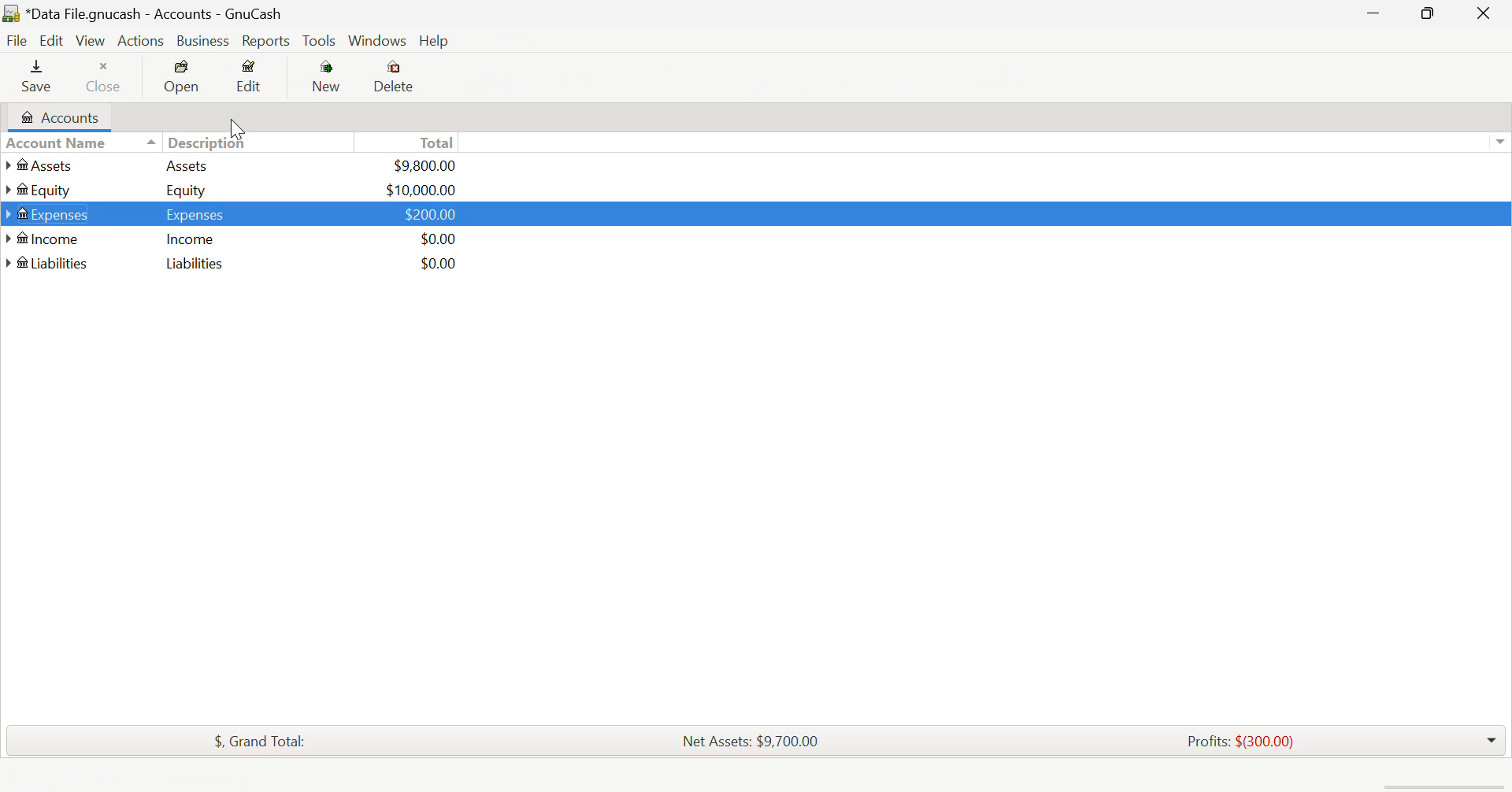 This screenshot has height=792, width=1512. I want to click on Actions, so click(142, 40).